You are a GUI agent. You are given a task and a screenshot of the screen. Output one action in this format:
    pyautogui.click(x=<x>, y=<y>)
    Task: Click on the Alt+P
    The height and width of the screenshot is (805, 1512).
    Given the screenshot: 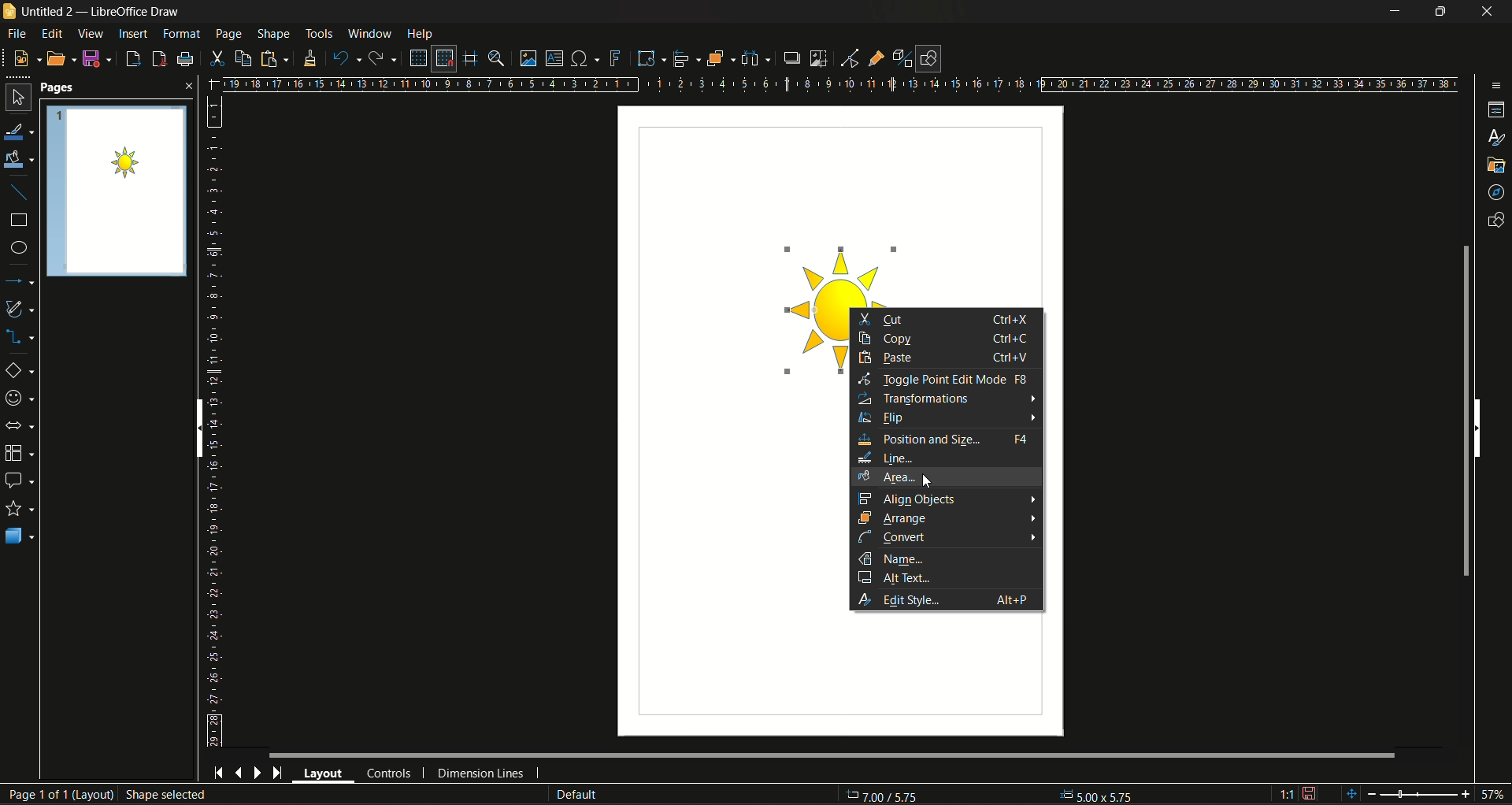 What is the action you would take?
    pyautogui.click(x=1010, y=601)
    